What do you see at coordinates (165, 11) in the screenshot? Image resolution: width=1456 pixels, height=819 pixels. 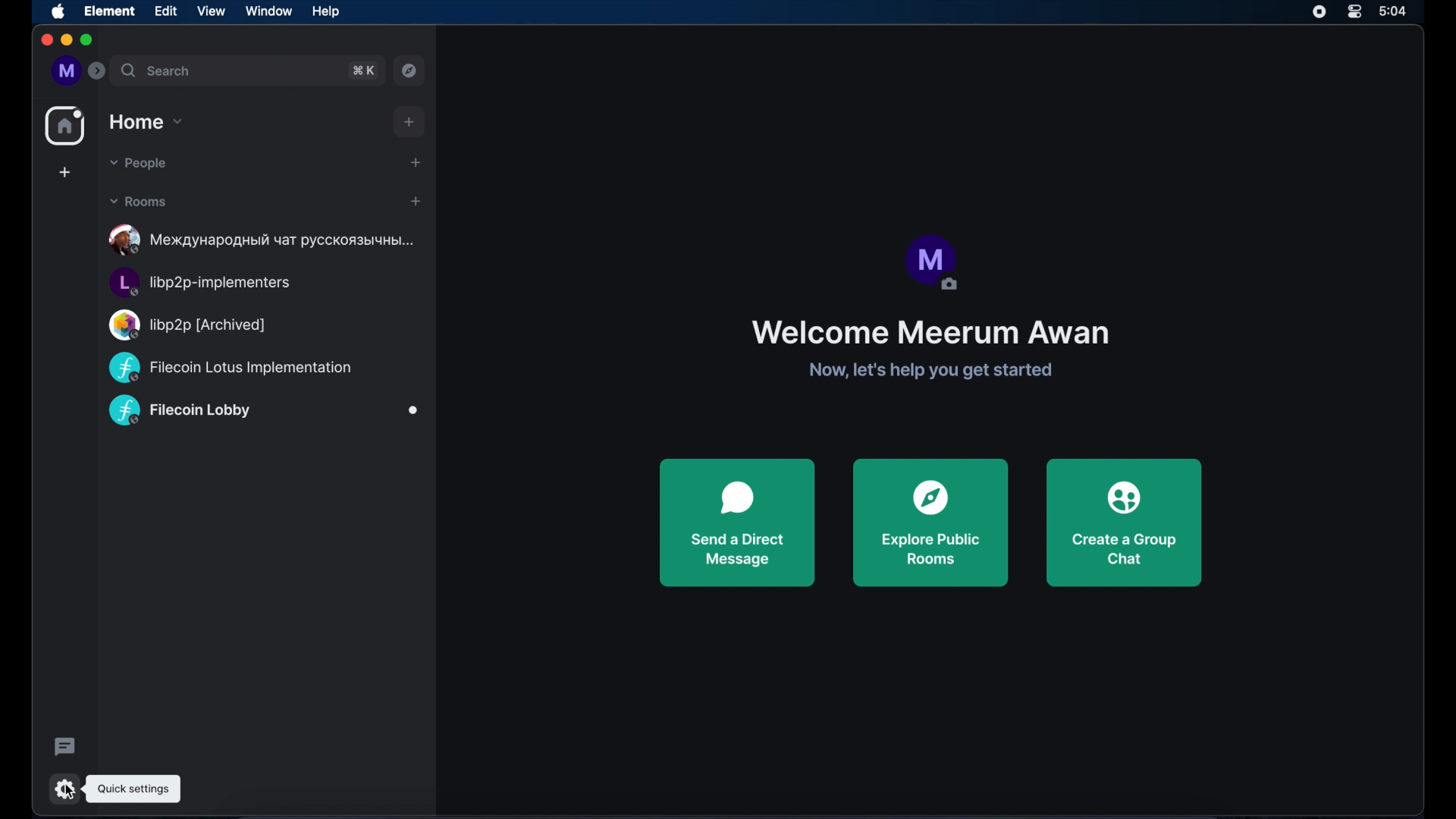 I see `edit` at bounding box center [165, 11].